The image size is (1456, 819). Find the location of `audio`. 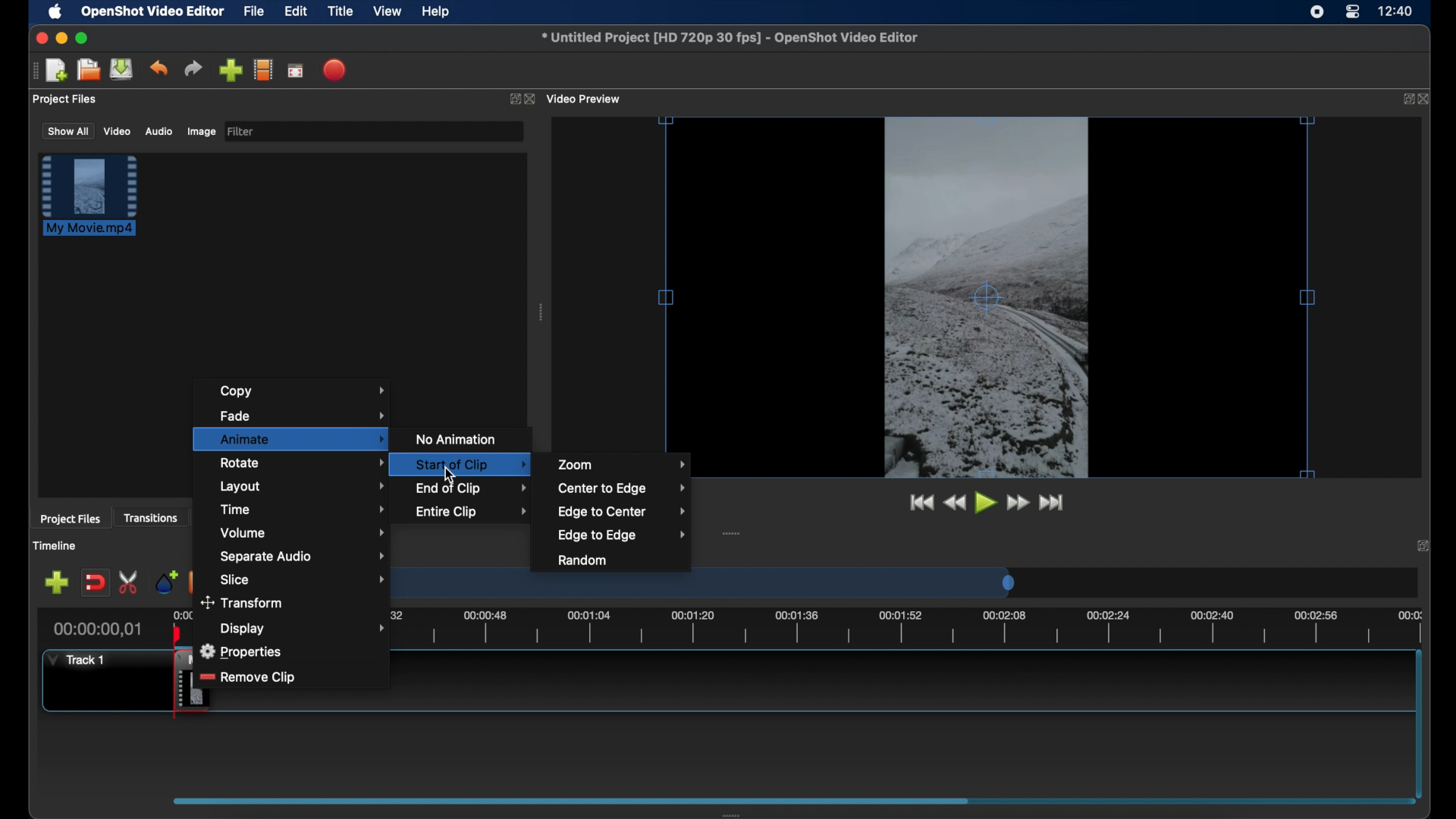

audio is located at coordinates (158, 132).